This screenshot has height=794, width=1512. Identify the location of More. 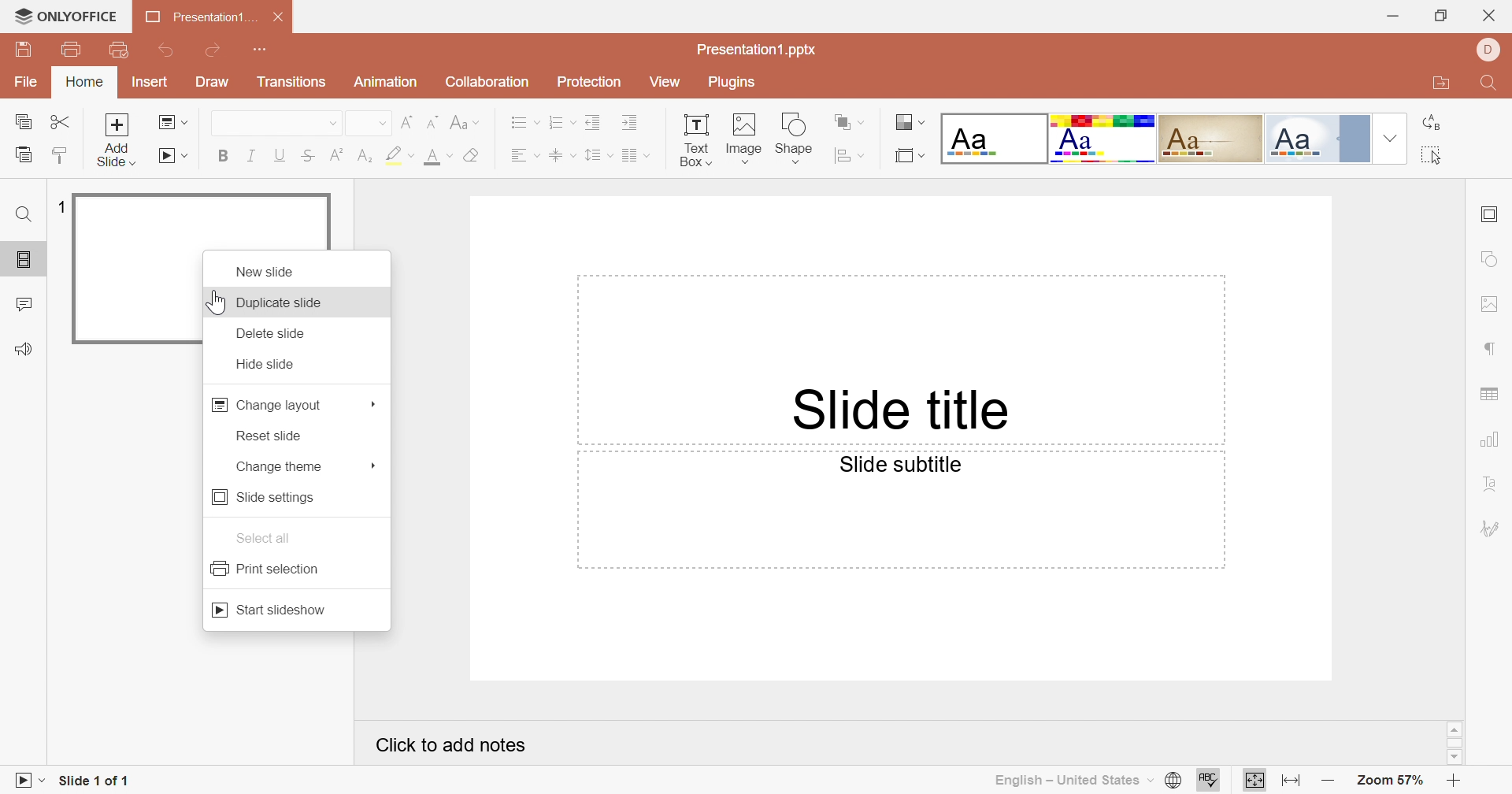
(372, 403).